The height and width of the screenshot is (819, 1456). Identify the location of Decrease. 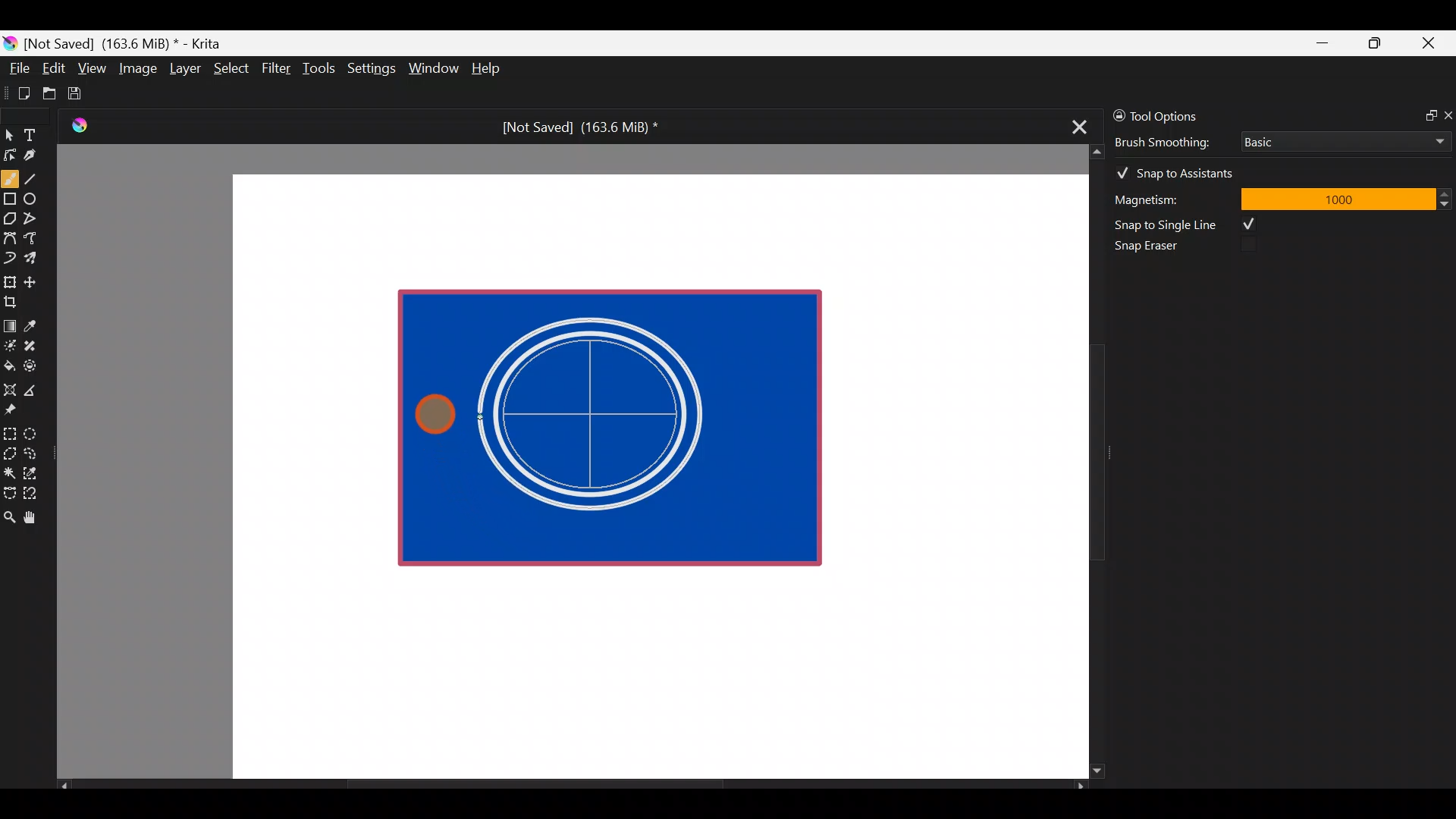
(1447, 203).